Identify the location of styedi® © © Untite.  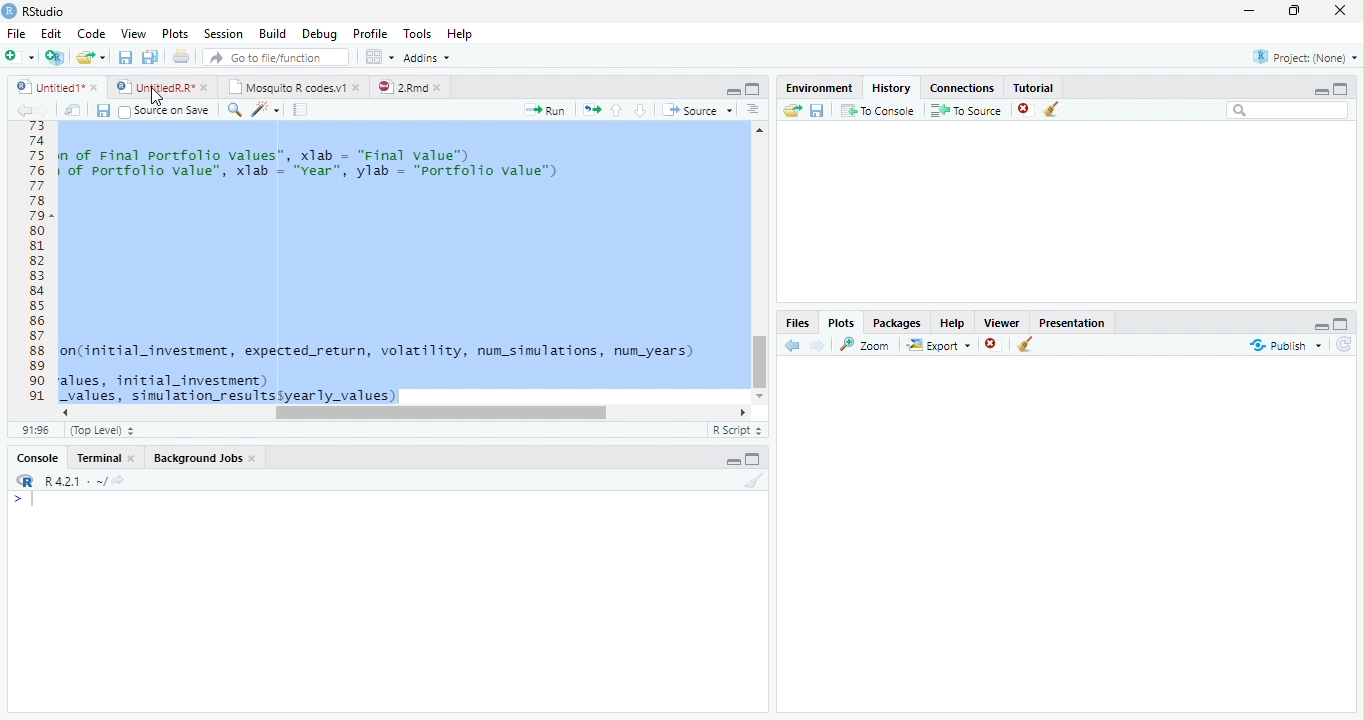
(162, 87).